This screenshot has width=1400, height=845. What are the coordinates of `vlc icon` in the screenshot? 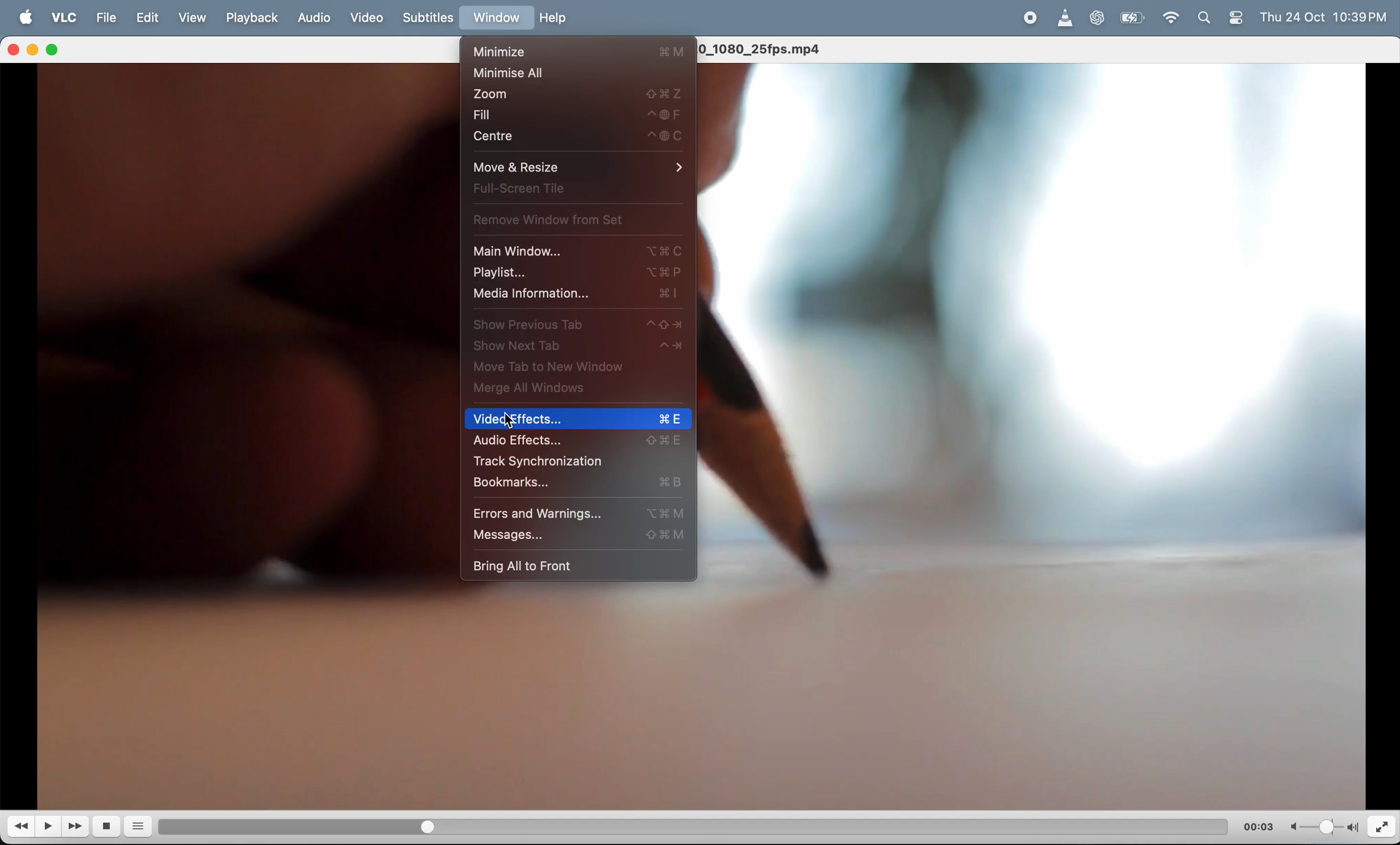 It's located at (1065, 19).